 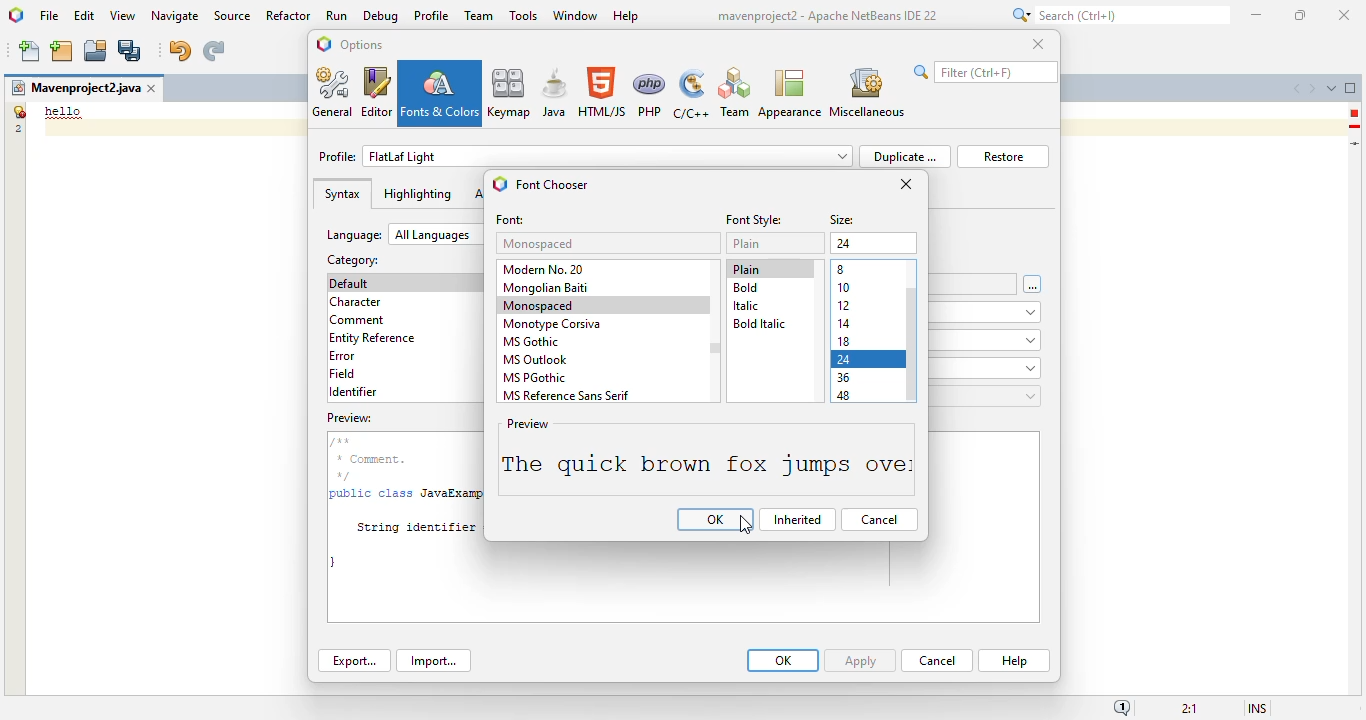 I want to click on vertical scroll bar, so click(x=716, y=349).